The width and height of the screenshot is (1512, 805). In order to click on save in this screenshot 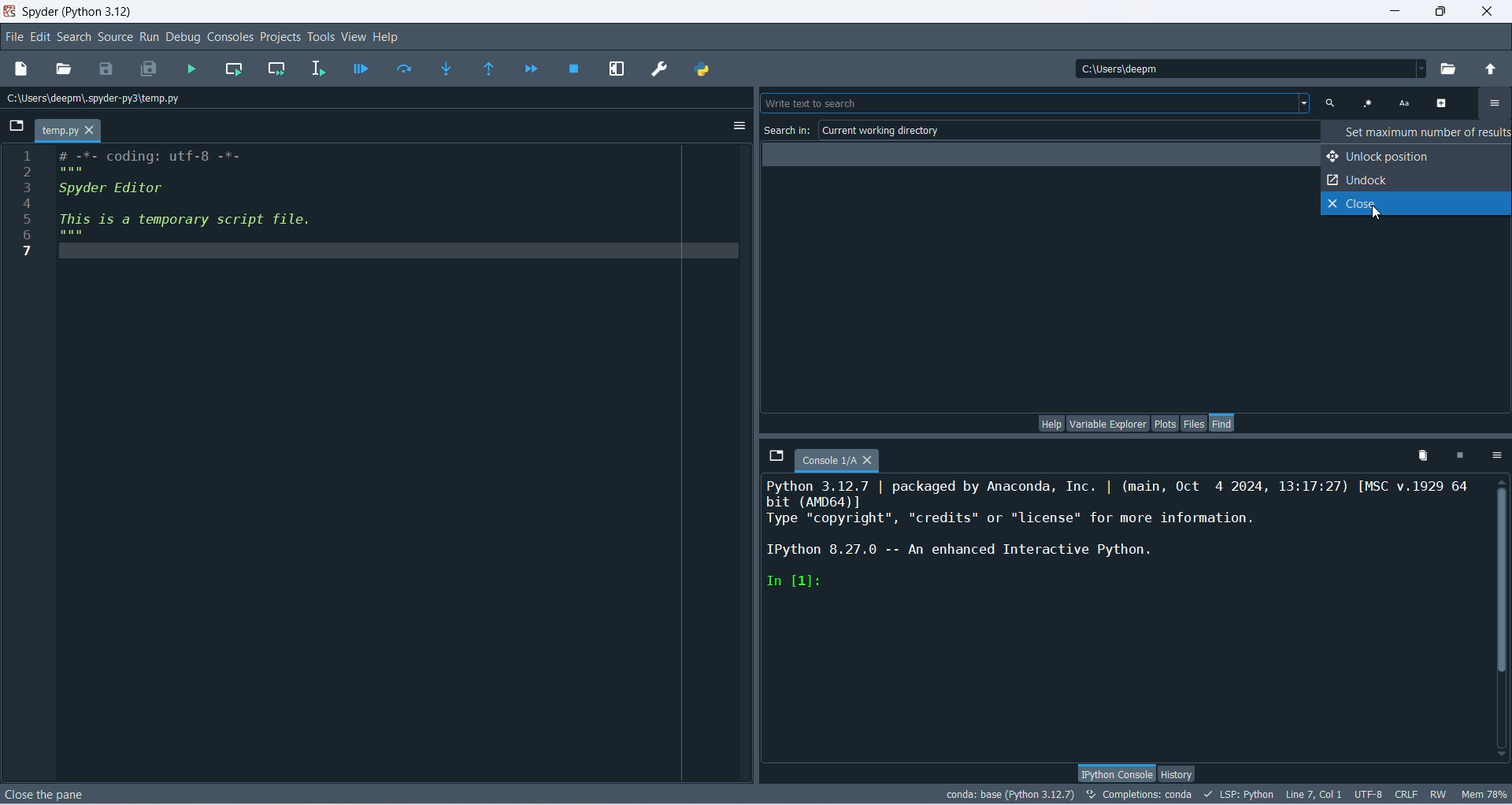, I will do `click(107, 71)`.